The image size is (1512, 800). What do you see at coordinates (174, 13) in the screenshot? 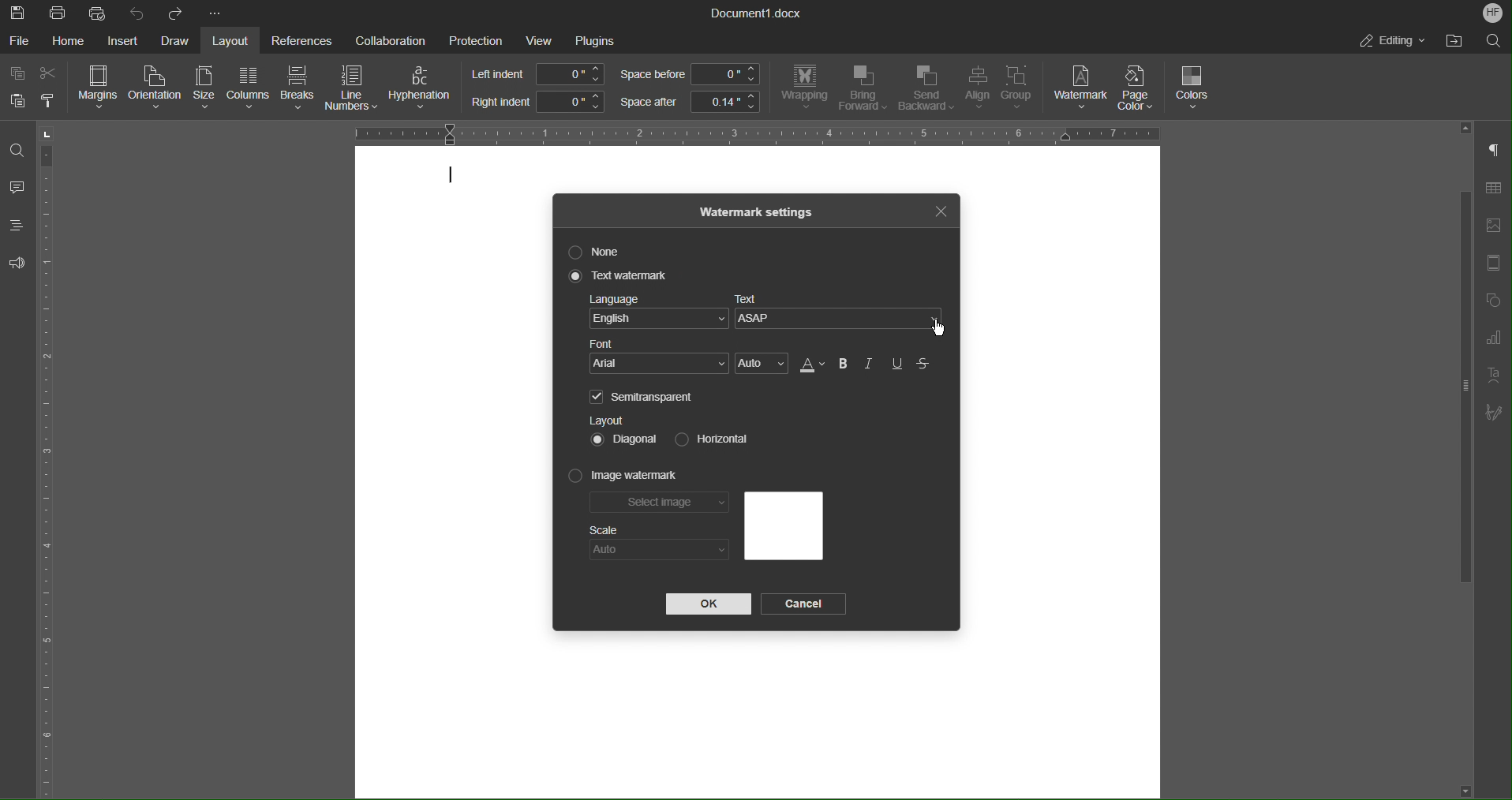
I see `Redo` at bounding box center [174, 13].